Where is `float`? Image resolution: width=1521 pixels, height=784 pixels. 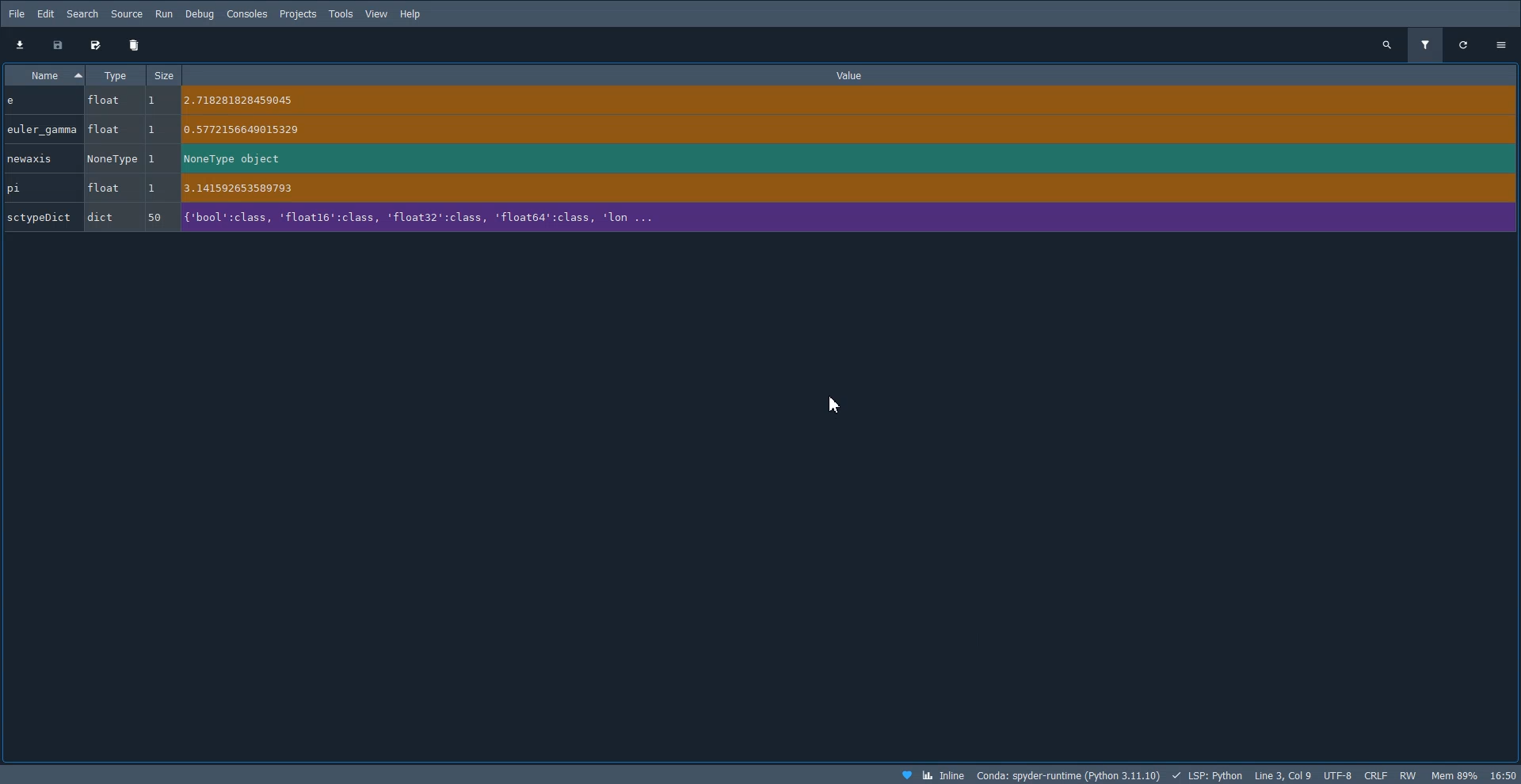 float is located at coordinates (102, 130).